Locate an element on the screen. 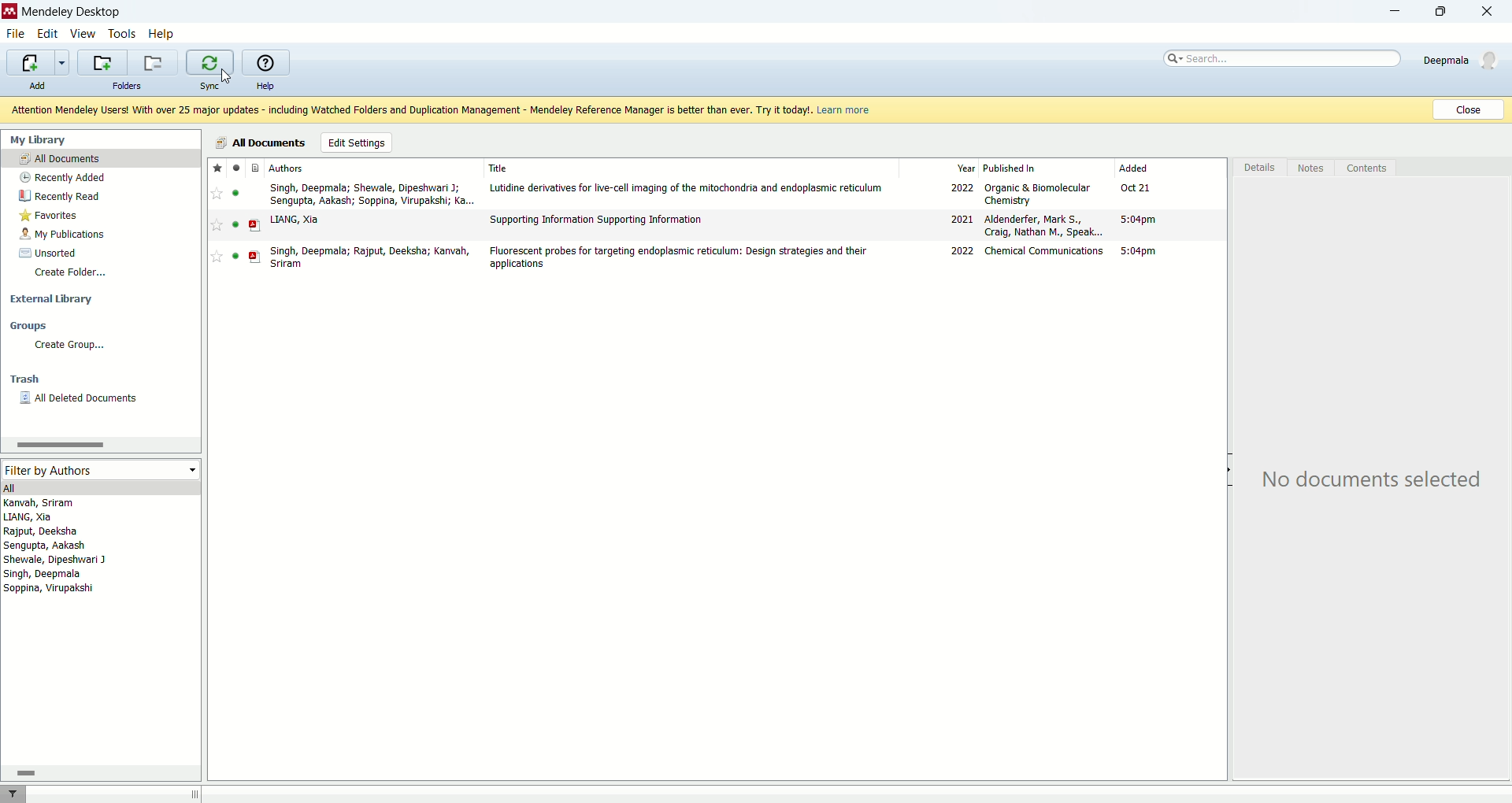 The height and width of the screenshot is (803, 1512). Add to favorite is located at coordinates (217, 257).